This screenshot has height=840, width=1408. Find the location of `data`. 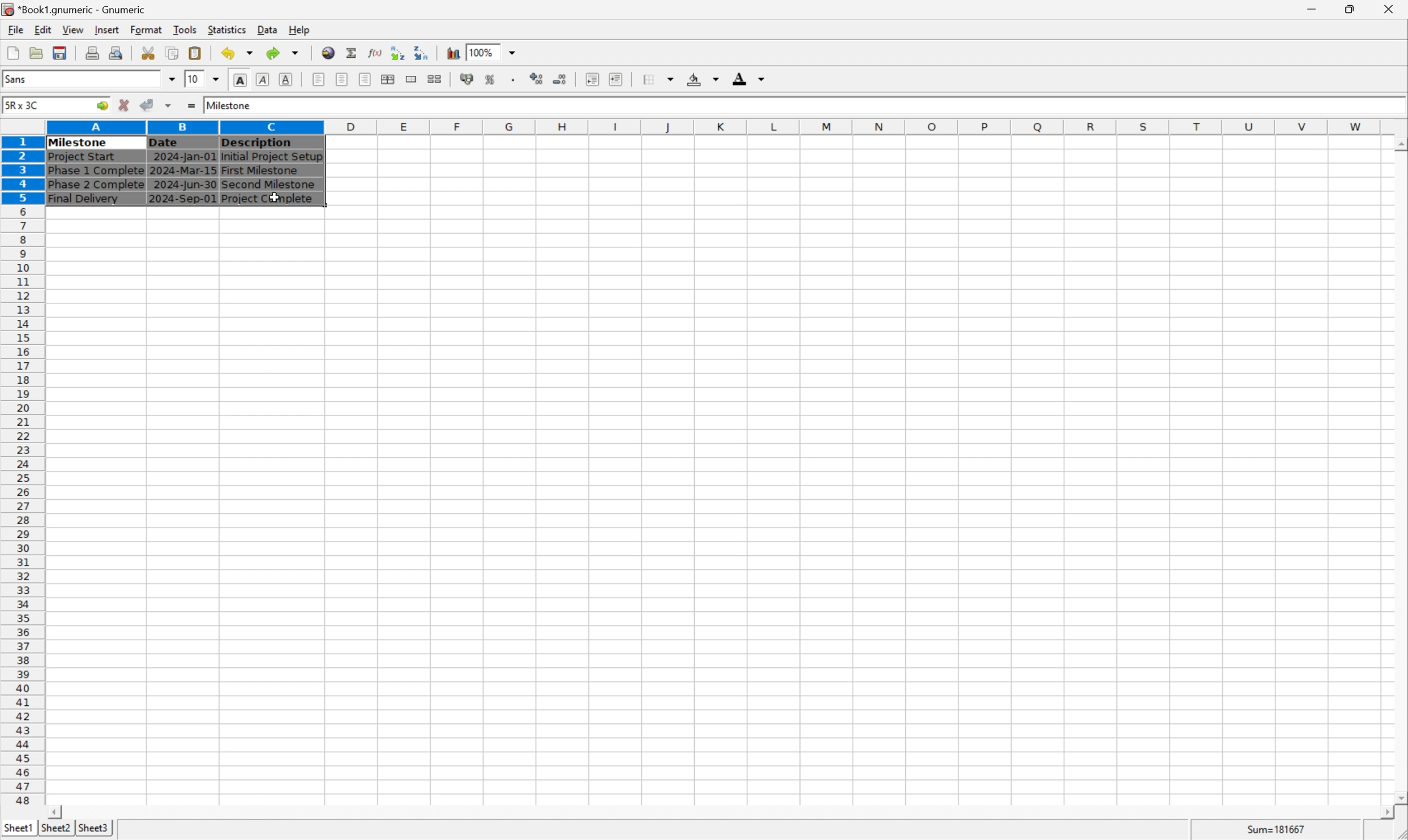

data is located at coordinates (267, 27).